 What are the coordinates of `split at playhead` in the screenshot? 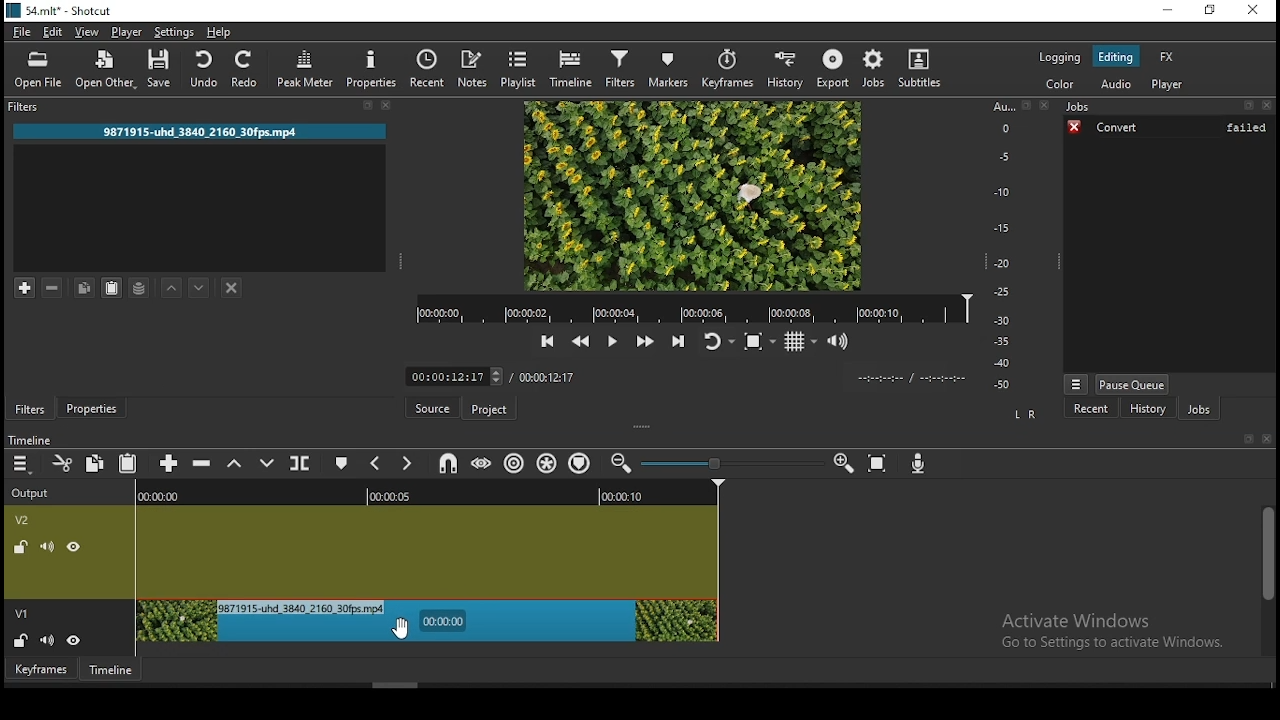 It's located at (302, 462).